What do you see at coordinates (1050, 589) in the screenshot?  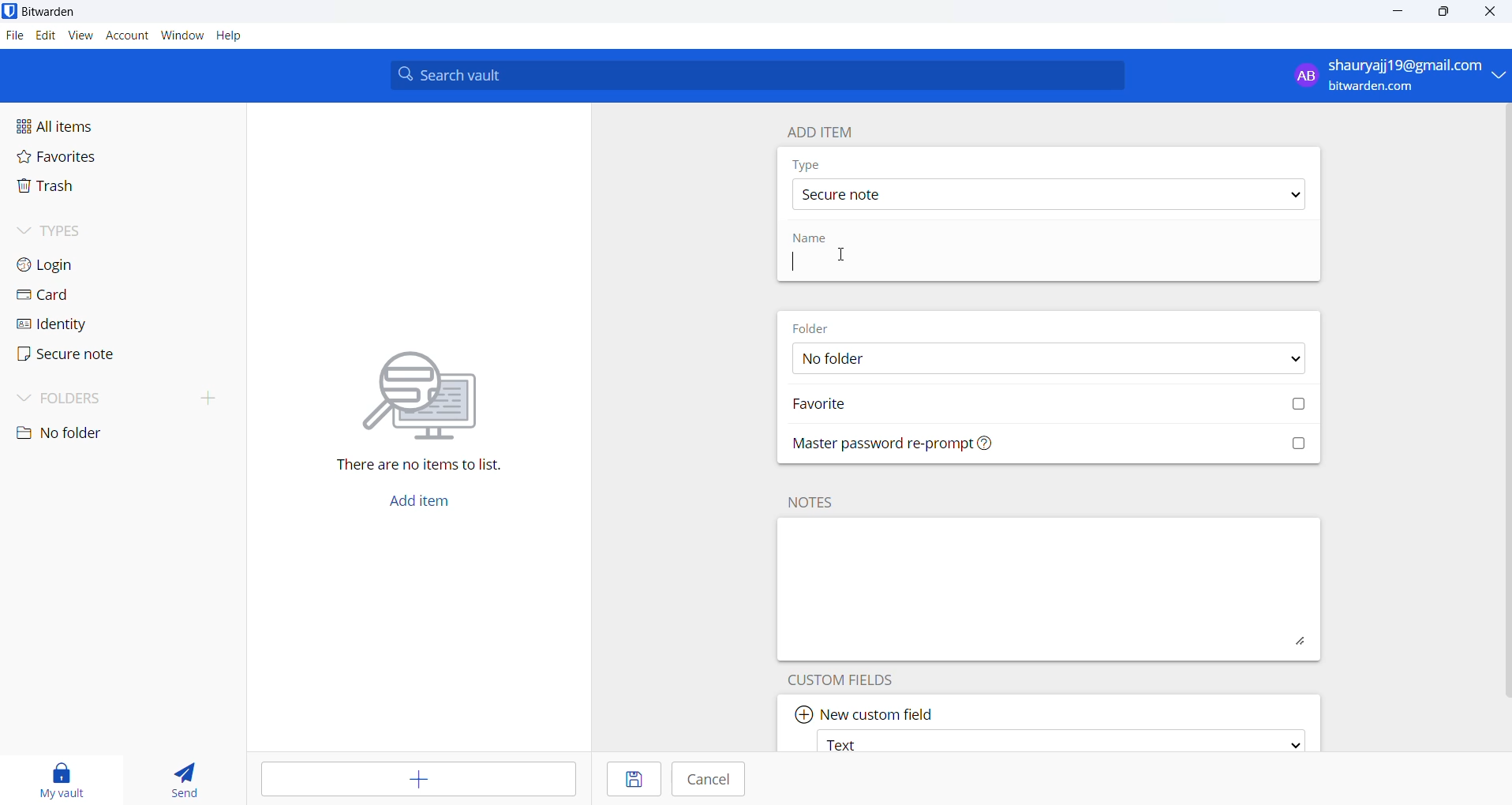 I see `notes textarea` at bounding box center [1050, 589].